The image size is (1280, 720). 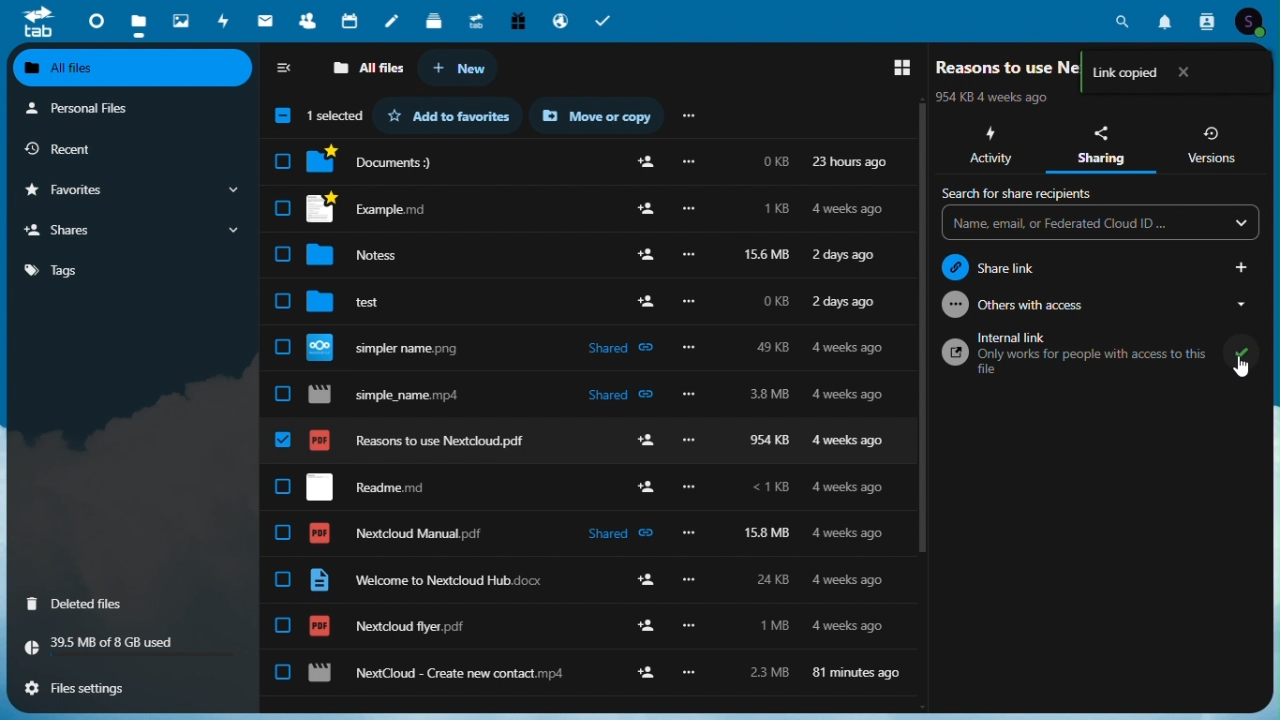 I want to click on checkbox, so click(x=285, y=441).